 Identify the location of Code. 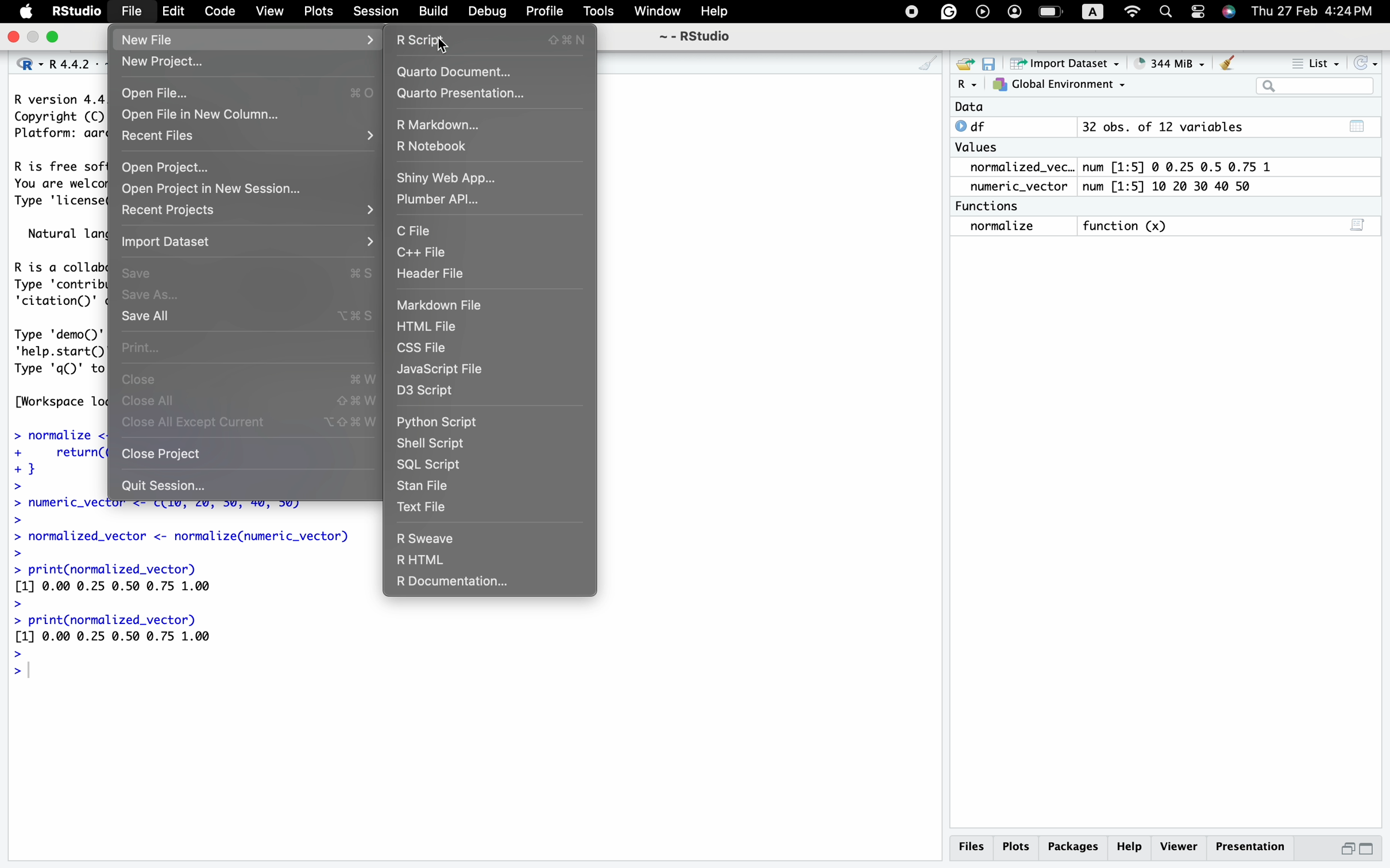
(218, 13).